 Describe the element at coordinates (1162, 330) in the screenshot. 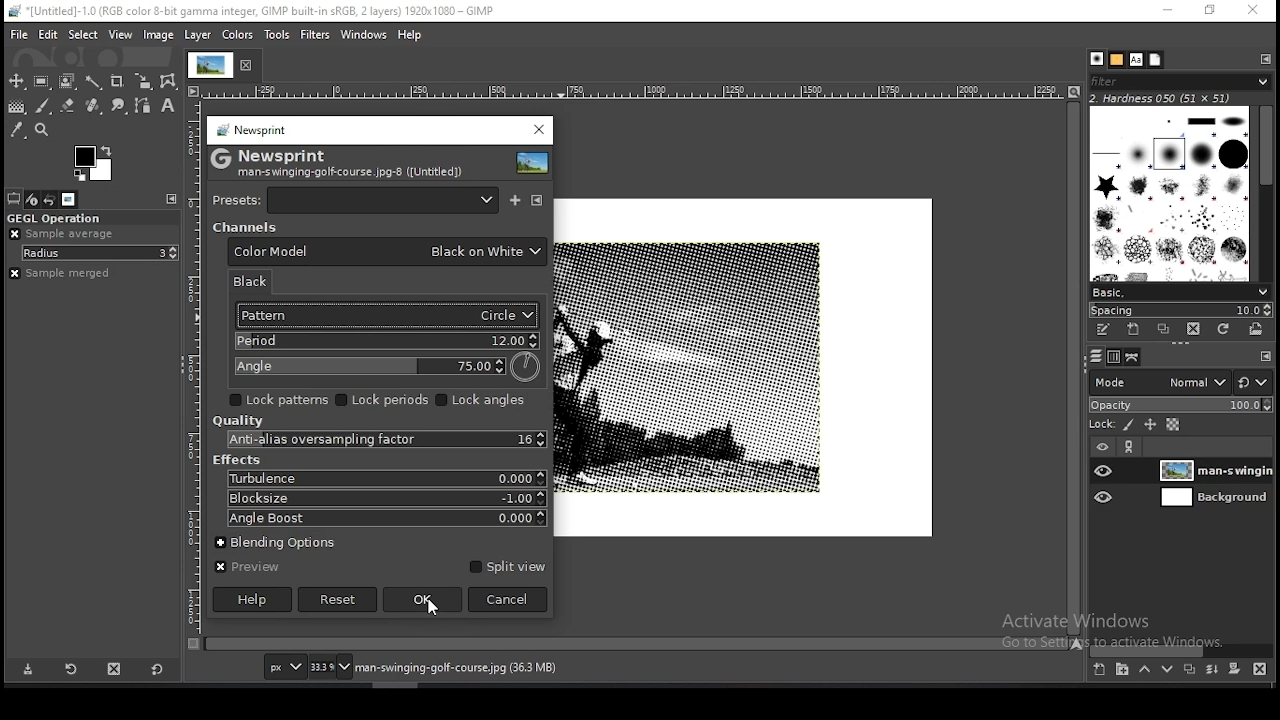

I see `duplicate brush` at that location.